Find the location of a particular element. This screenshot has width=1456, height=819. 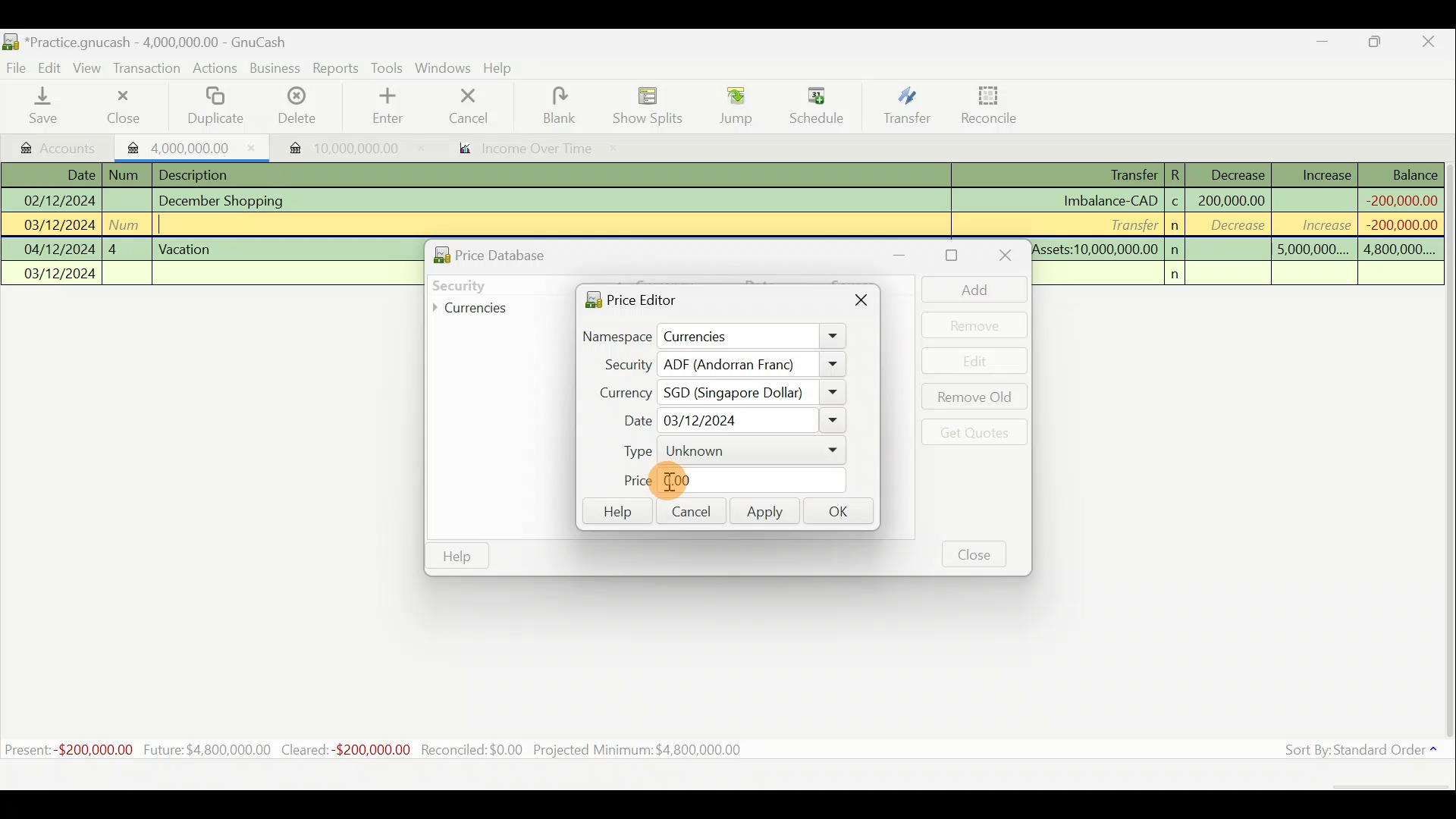

Actions is located at coordinates (217, 69).